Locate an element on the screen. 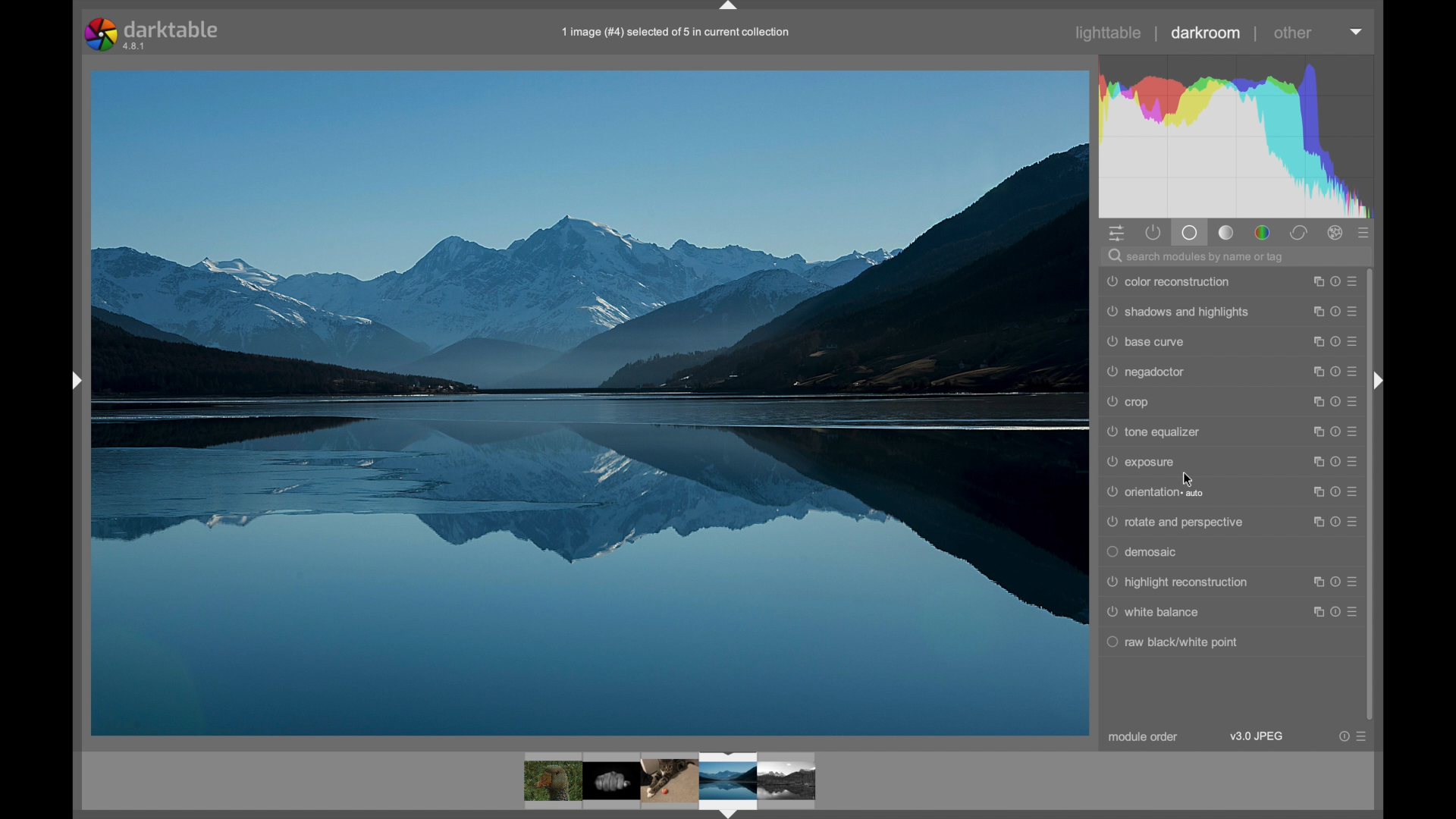 Image resolution: width=1456 pixels, height=819 pixels. highlight construction is located at coordinates (1177, 582).